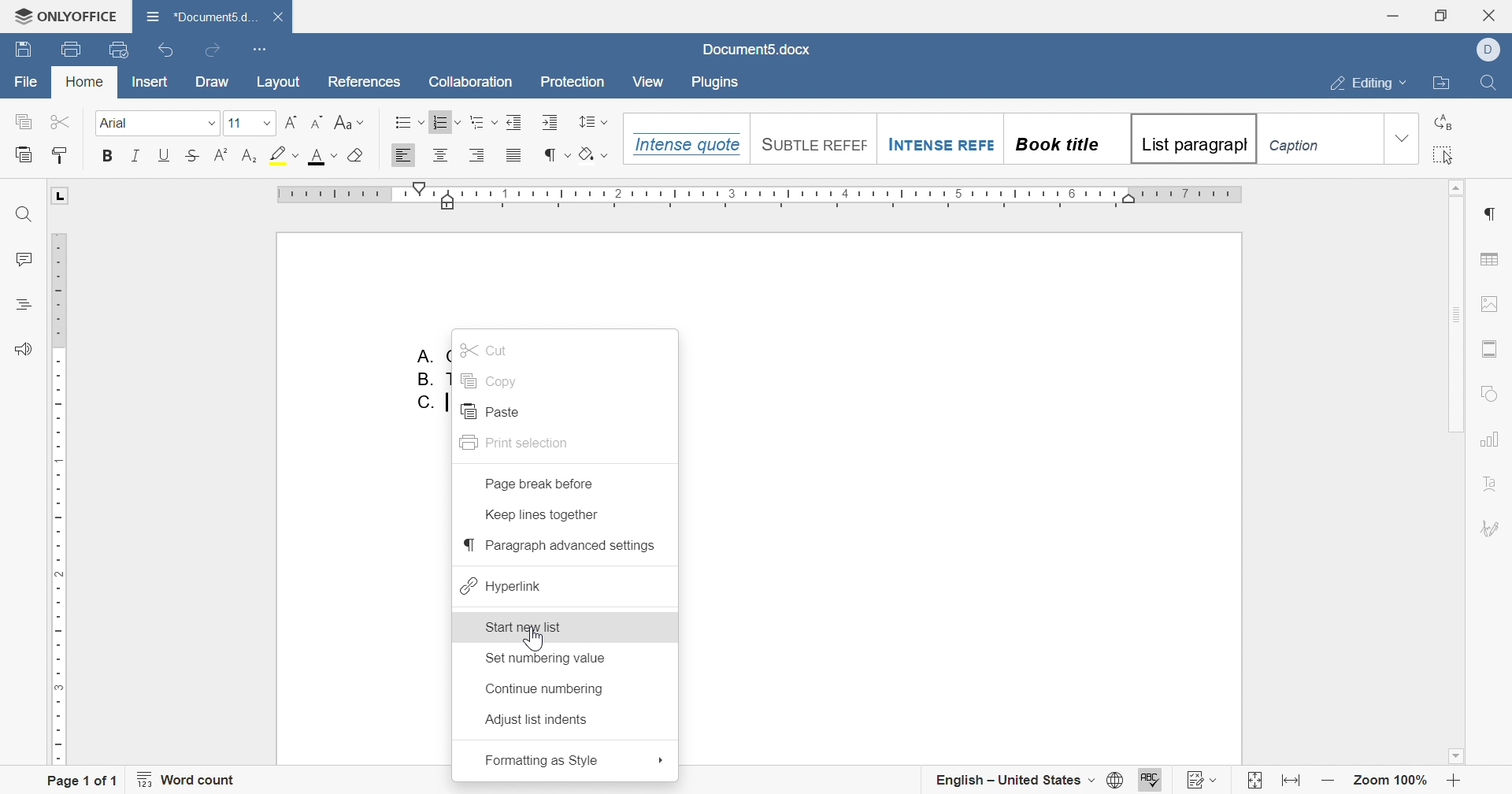  What do you see at coordinates (248, 155) in the screenshot?
I see `Subscript` at bounding box center [248, 155].